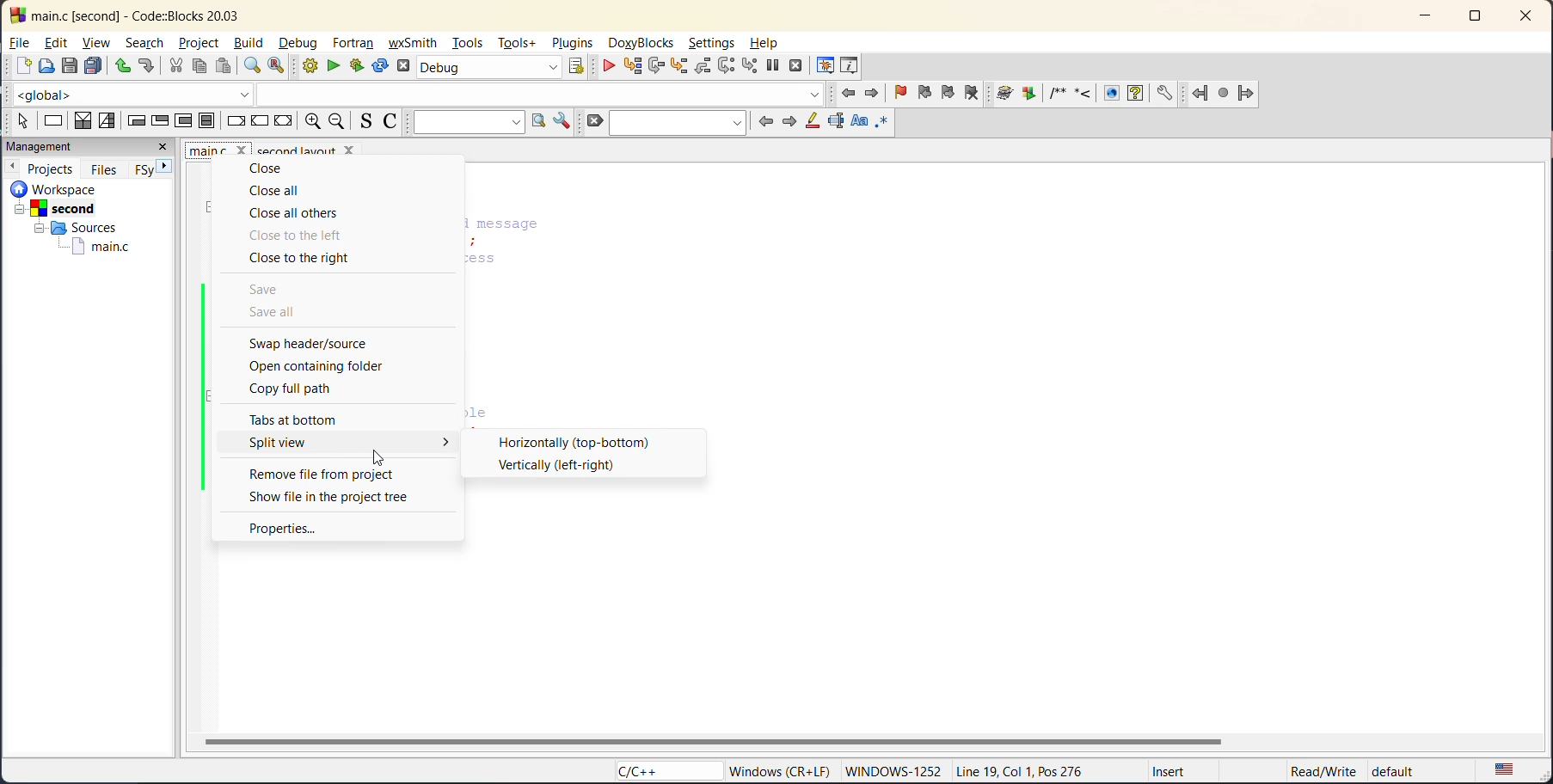 This screenshot has height=784, width=1553. What do you see at coordinates (334, 65) in the screenshot?
I see `run` at bounding box center [334, 65].